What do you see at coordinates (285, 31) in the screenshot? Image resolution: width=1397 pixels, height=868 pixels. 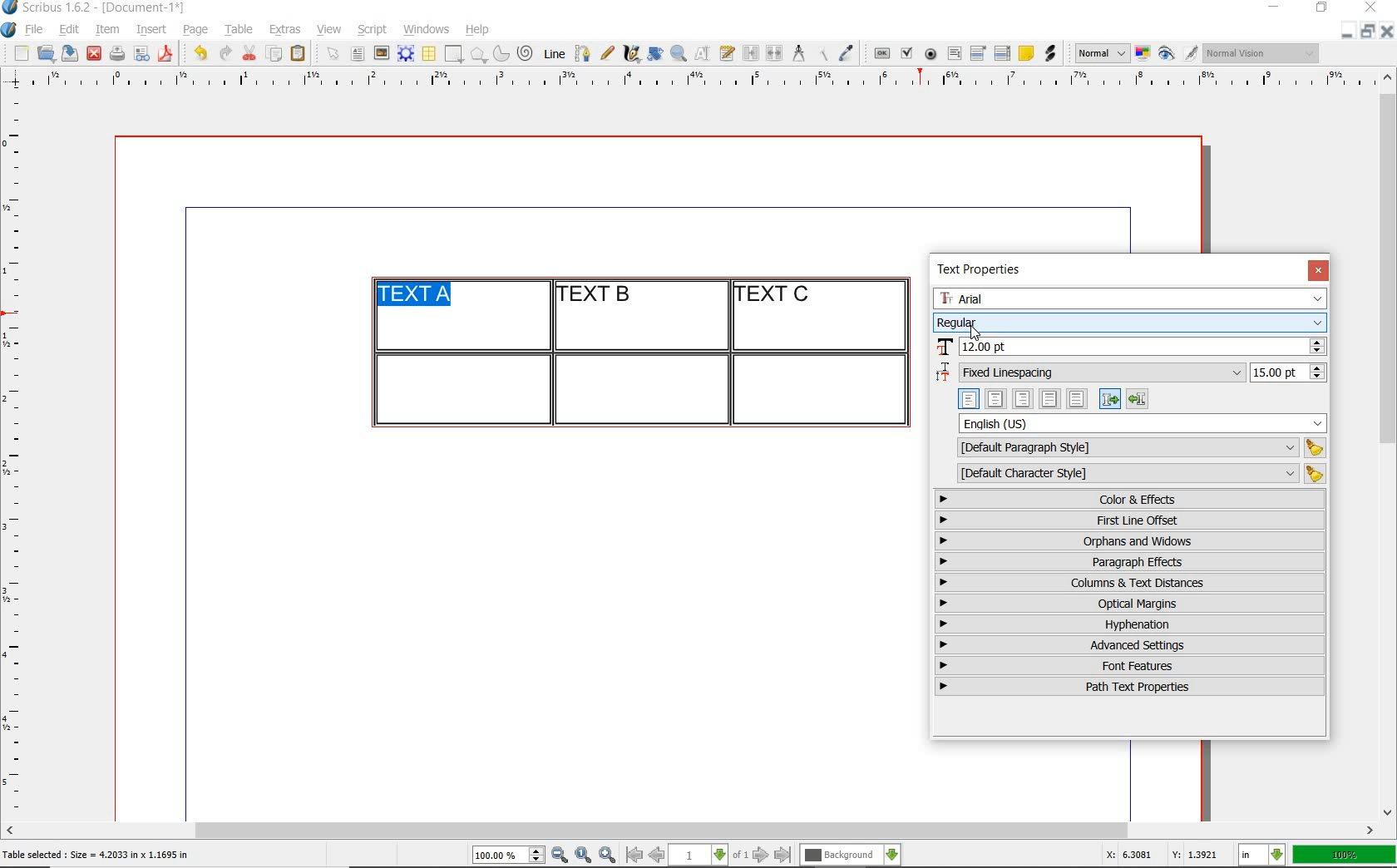 I see `extras` at bounding box center [285, 31].